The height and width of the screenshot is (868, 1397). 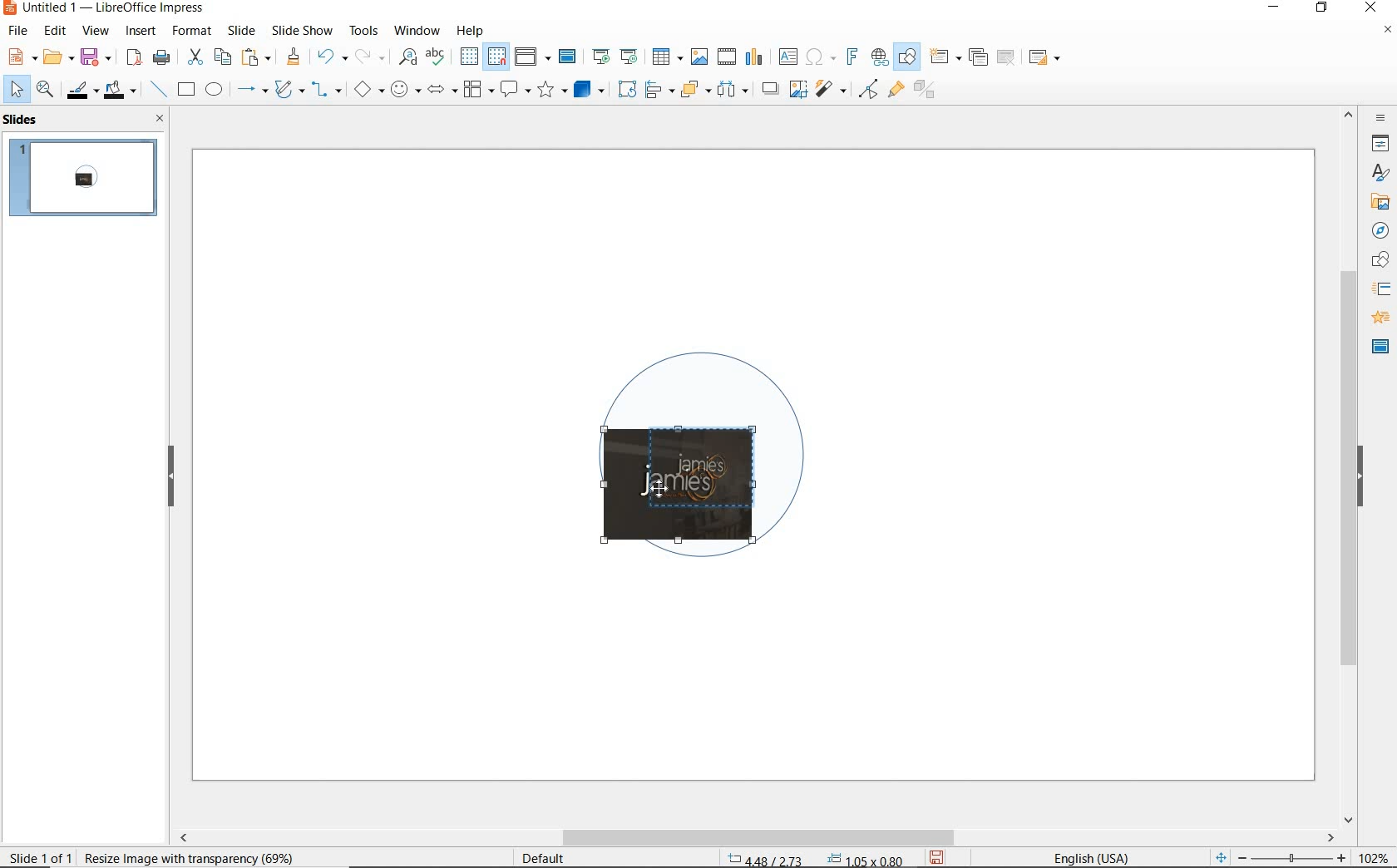 I want to click on start from first/current slide, so click(x=615, y=55).